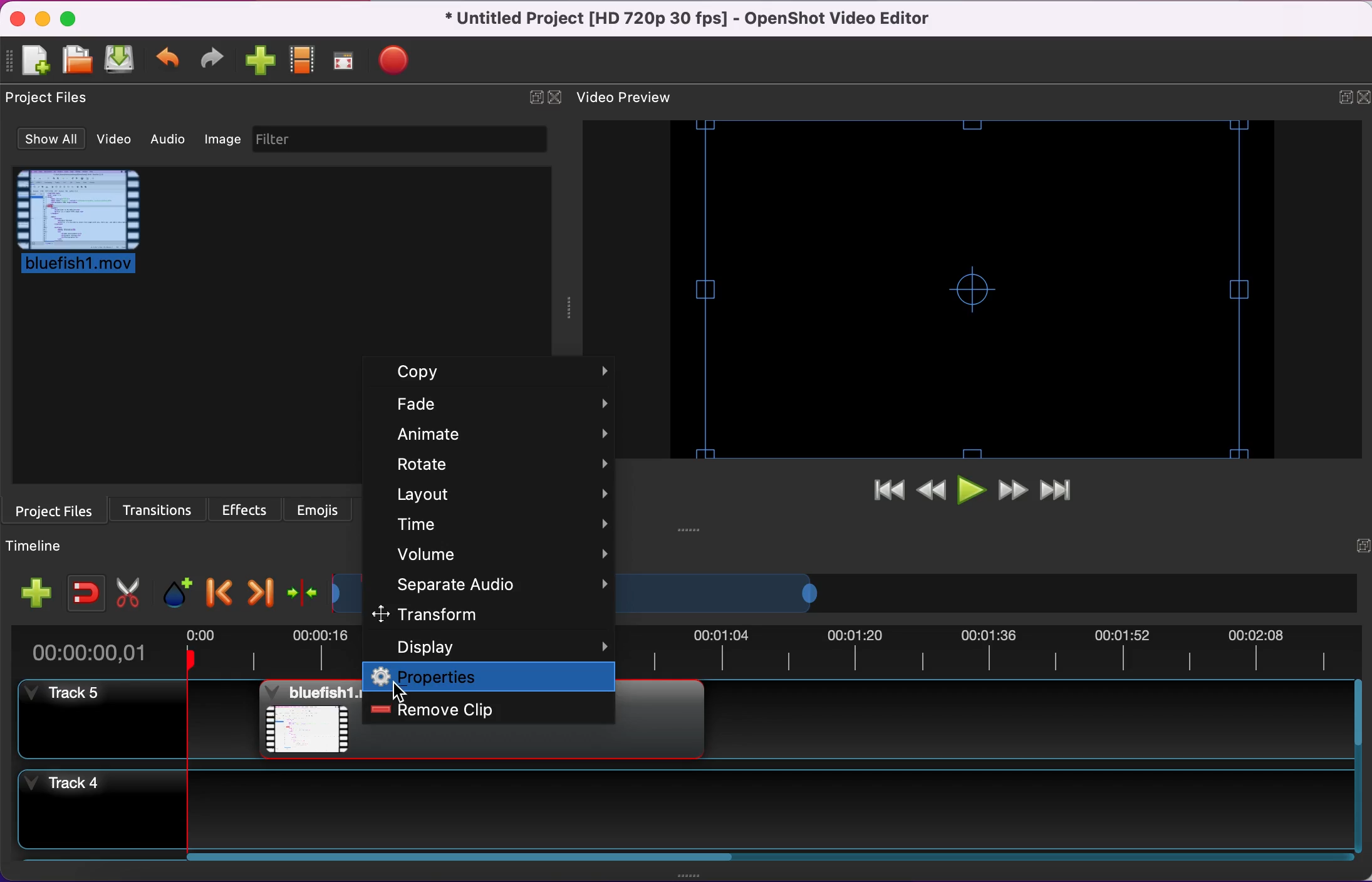  I want to click on timeline, so click(720, 593).